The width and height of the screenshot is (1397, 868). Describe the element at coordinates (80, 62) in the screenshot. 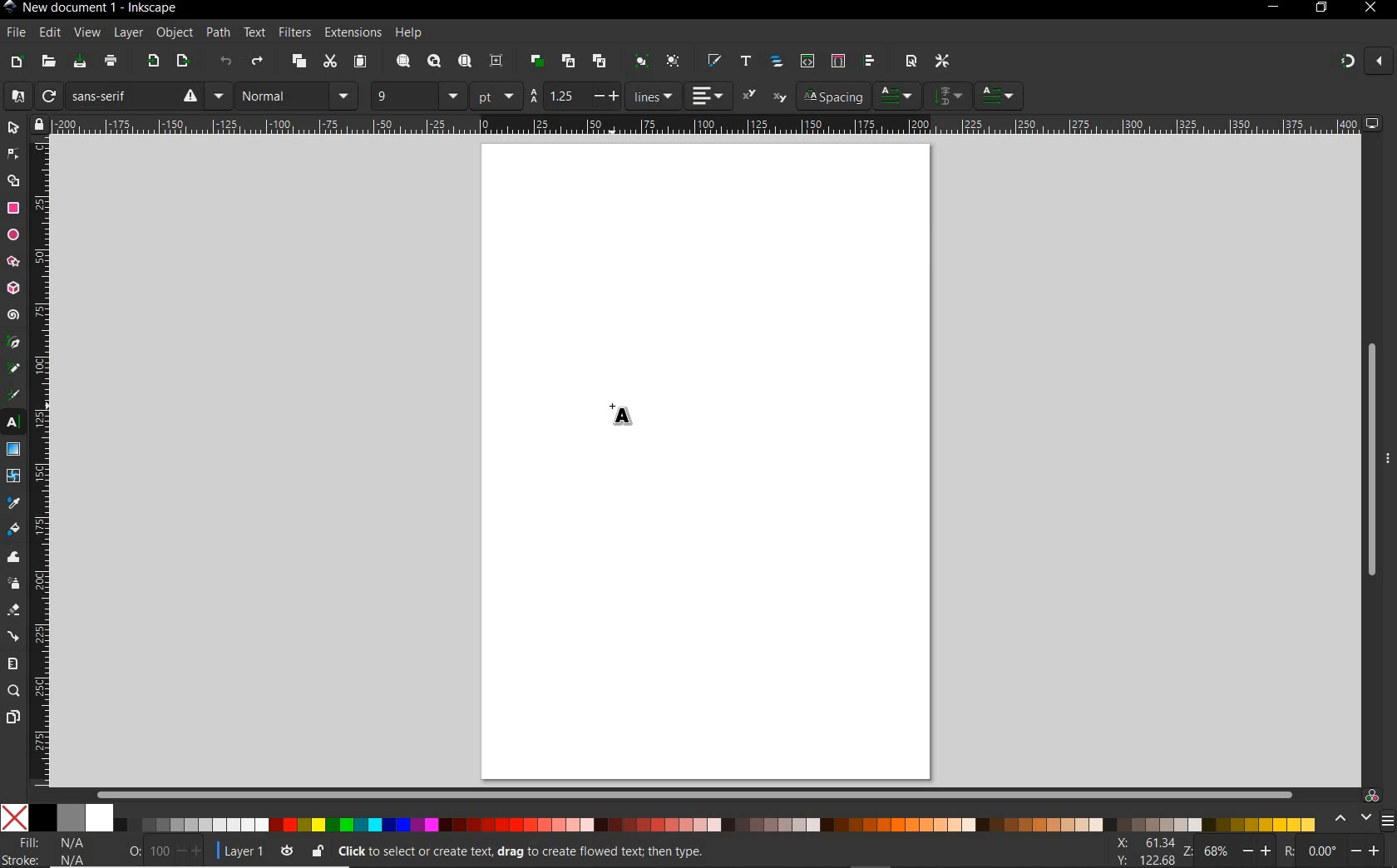

I see `save` at that location.